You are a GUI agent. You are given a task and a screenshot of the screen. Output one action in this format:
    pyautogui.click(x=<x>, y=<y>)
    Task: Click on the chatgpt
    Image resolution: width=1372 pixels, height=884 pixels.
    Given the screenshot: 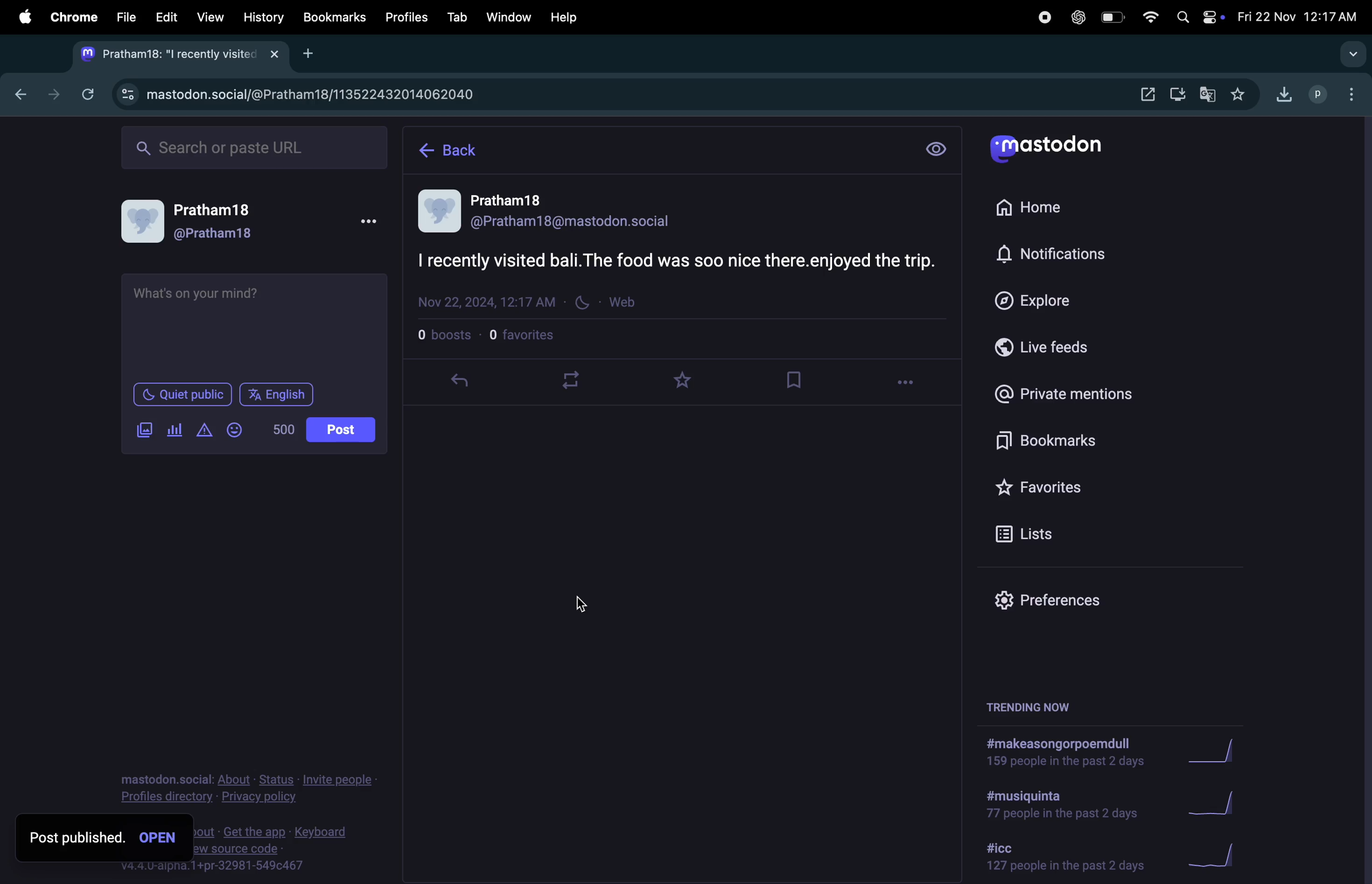 What is the action you would take?
    pyautogui.click(x=1077, y=18)
    